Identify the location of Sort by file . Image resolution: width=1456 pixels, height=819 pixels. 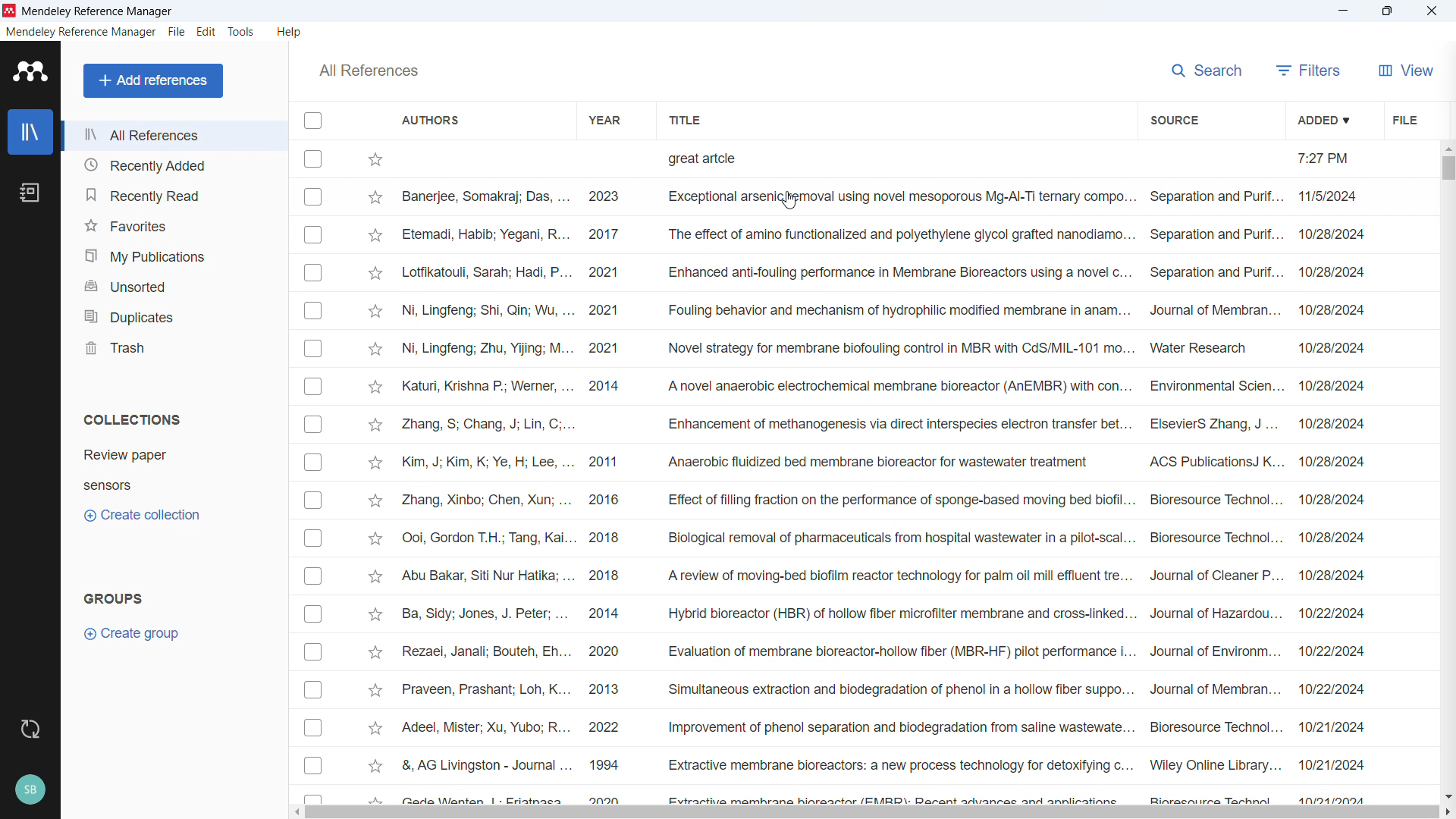
(1404, 118).